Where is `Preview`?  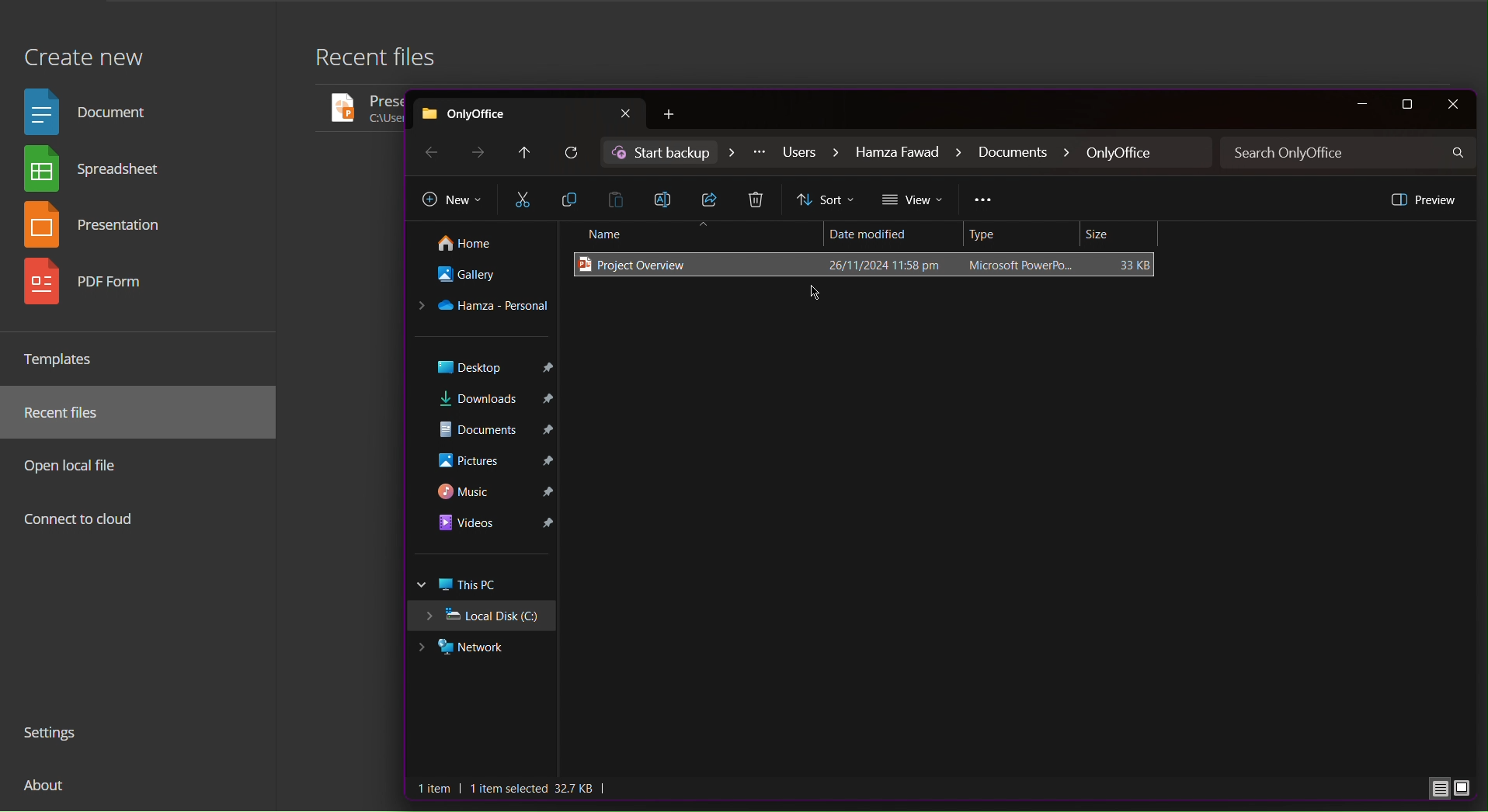 Preview is located at coordinates (1422, 199).